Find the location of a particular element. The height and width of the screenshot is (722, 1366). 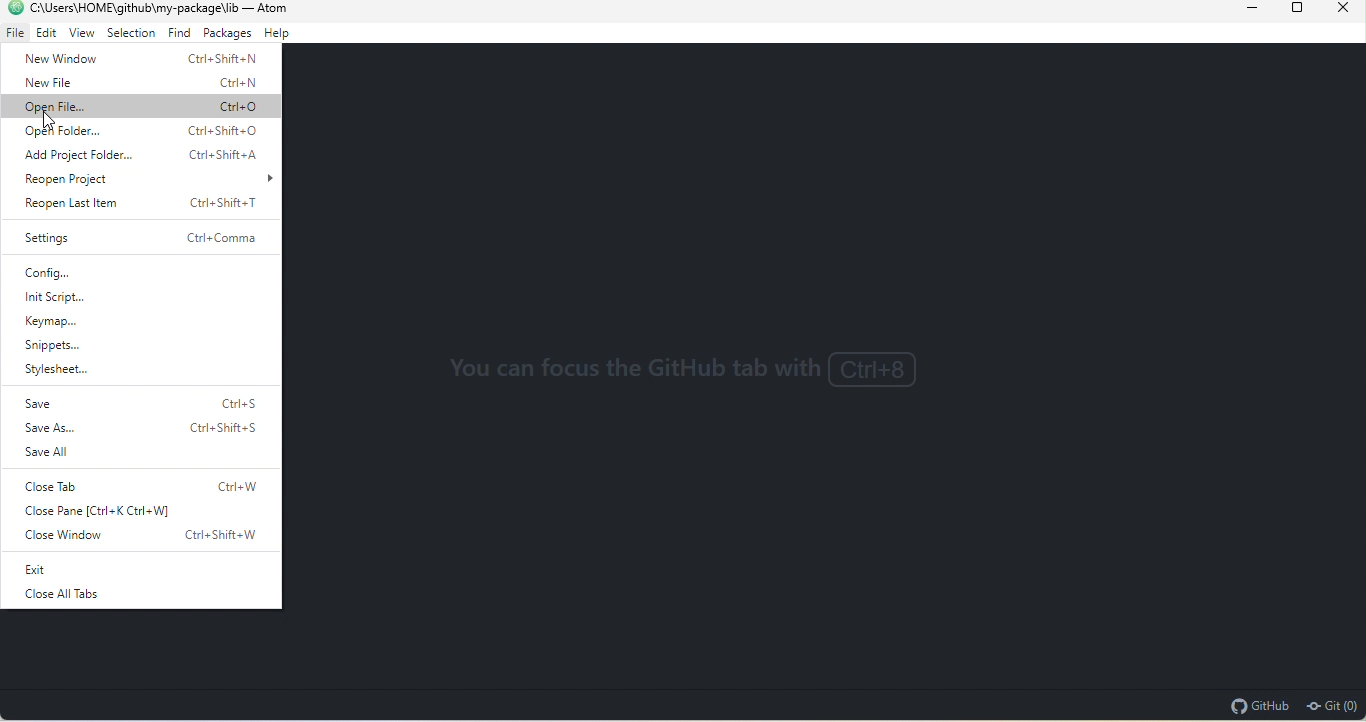

minimize is located at coordinates (1238, 10).